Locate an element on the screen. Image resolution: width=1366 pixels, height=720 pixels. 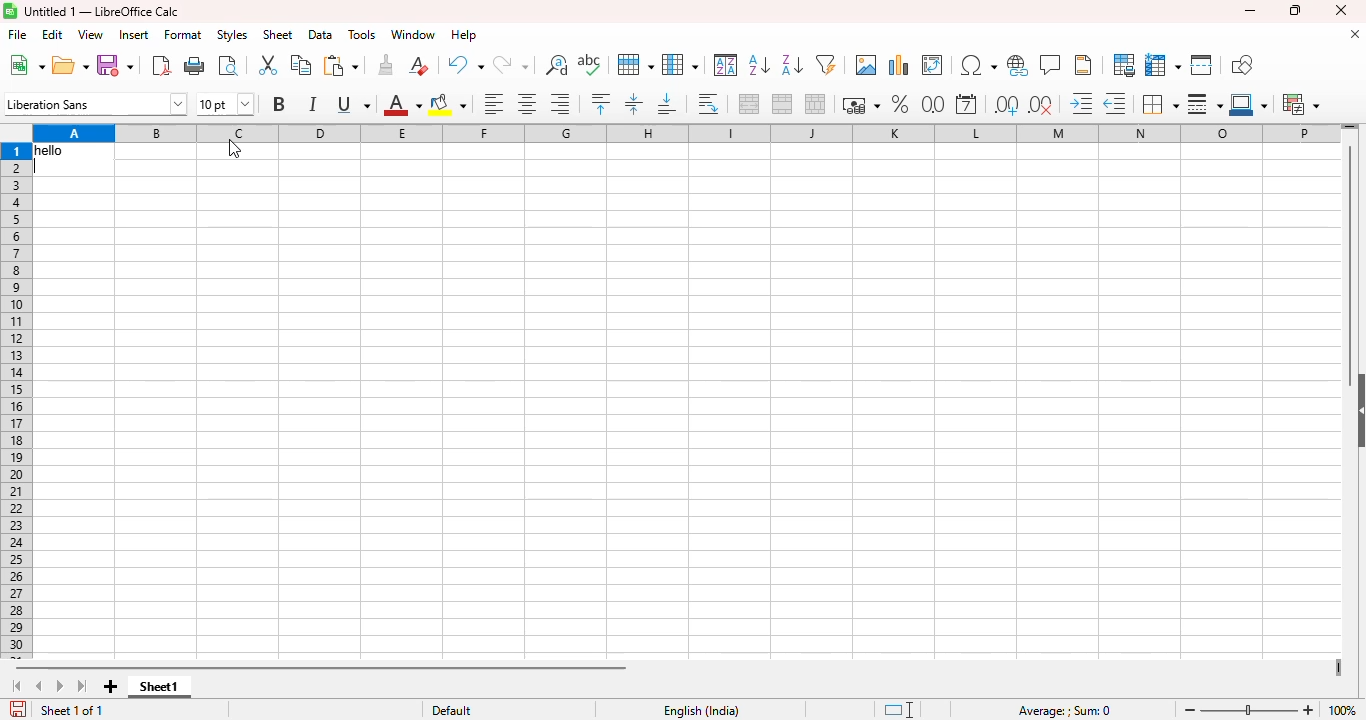
format is located at coordinates (183, 35).